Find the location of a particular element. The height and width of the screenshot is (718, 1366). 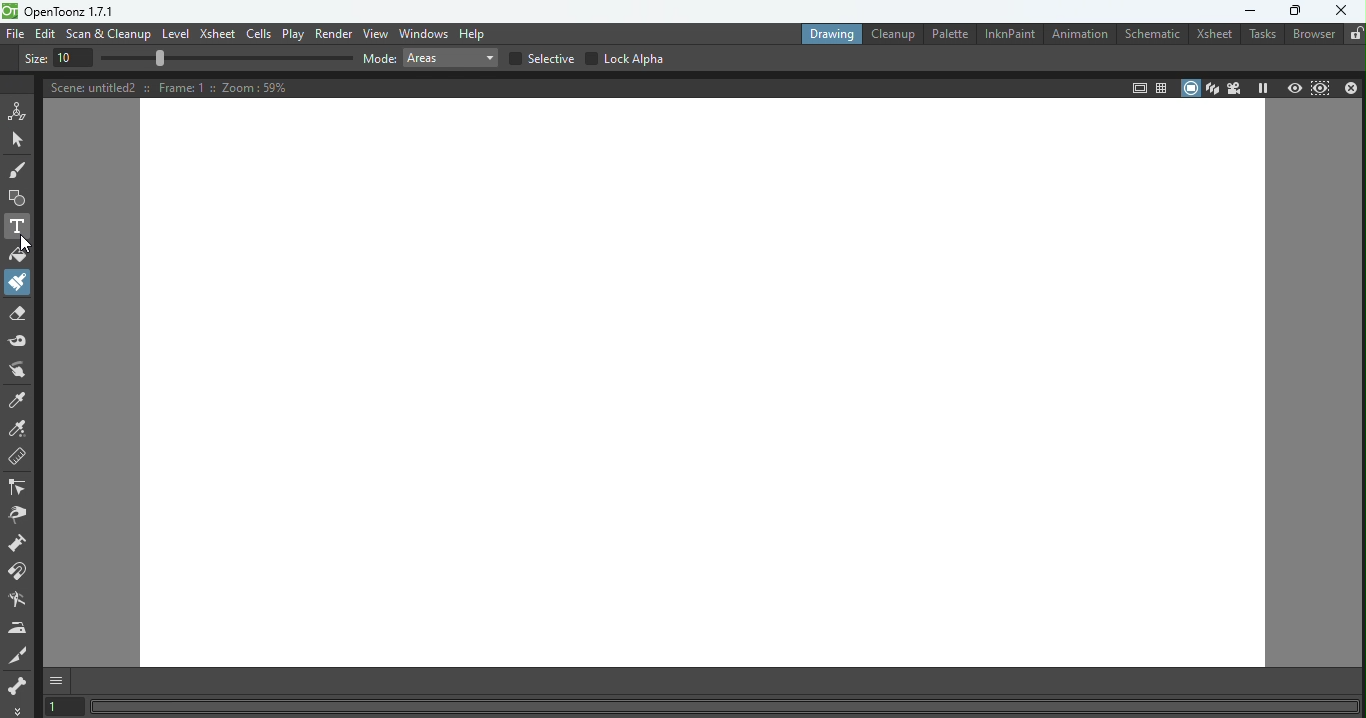

Edit is located at coordinates (47, 33).